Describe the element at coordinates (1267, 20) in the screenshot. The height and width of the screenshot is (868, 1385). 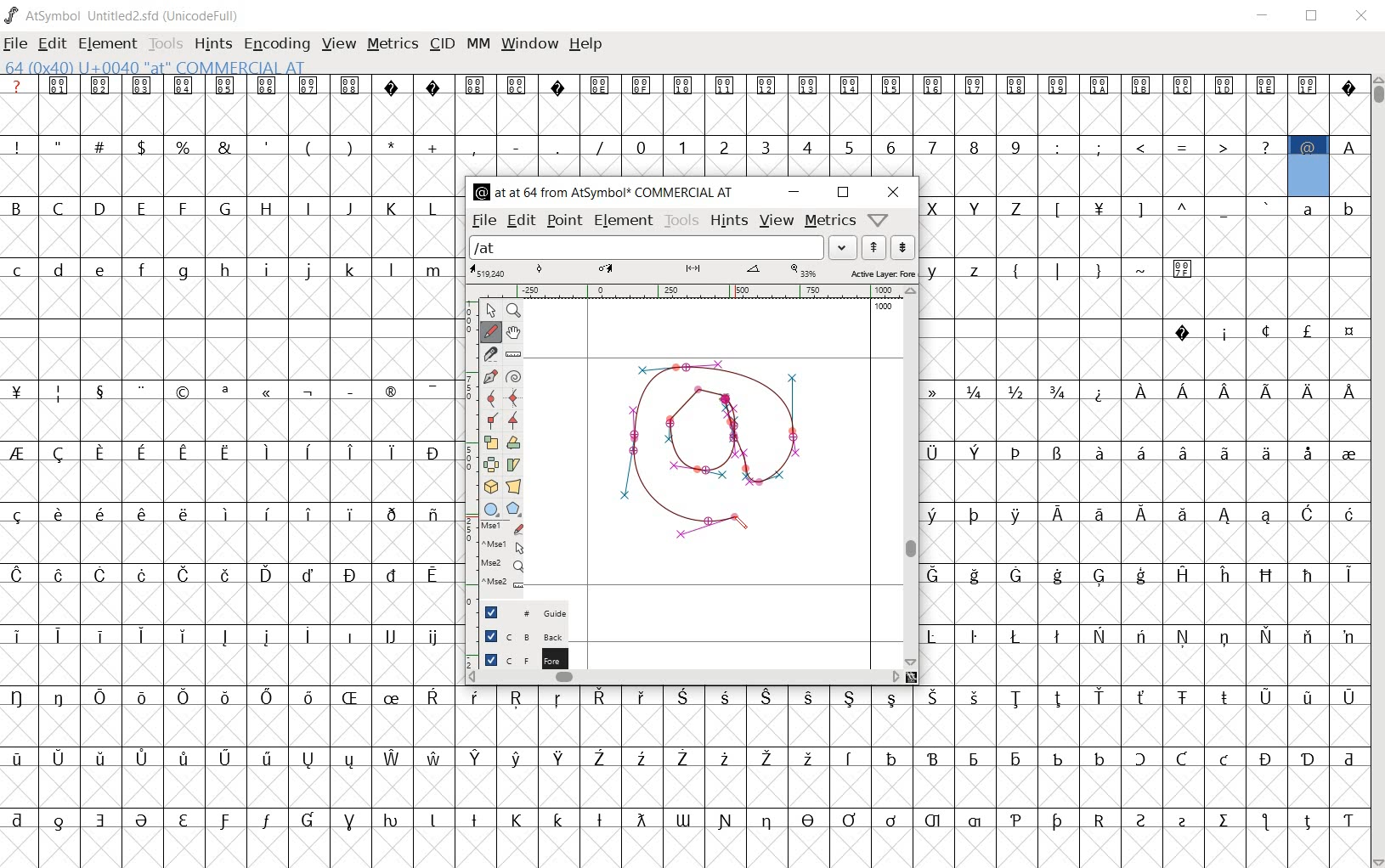
I see `MINIMIZE` at that location.